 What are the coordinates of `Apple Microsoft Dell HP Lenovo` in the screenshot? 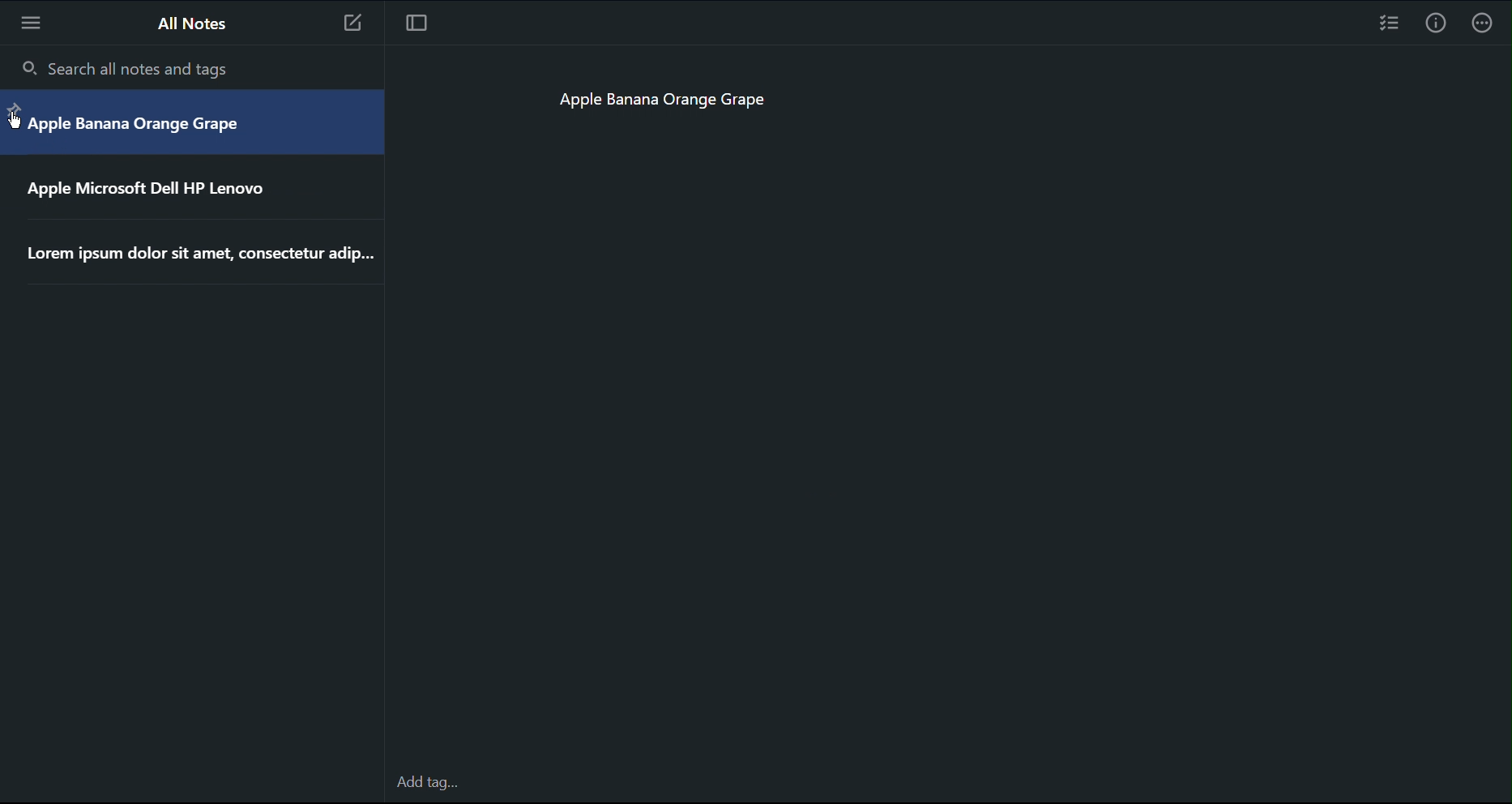 It's located at (152, 188).